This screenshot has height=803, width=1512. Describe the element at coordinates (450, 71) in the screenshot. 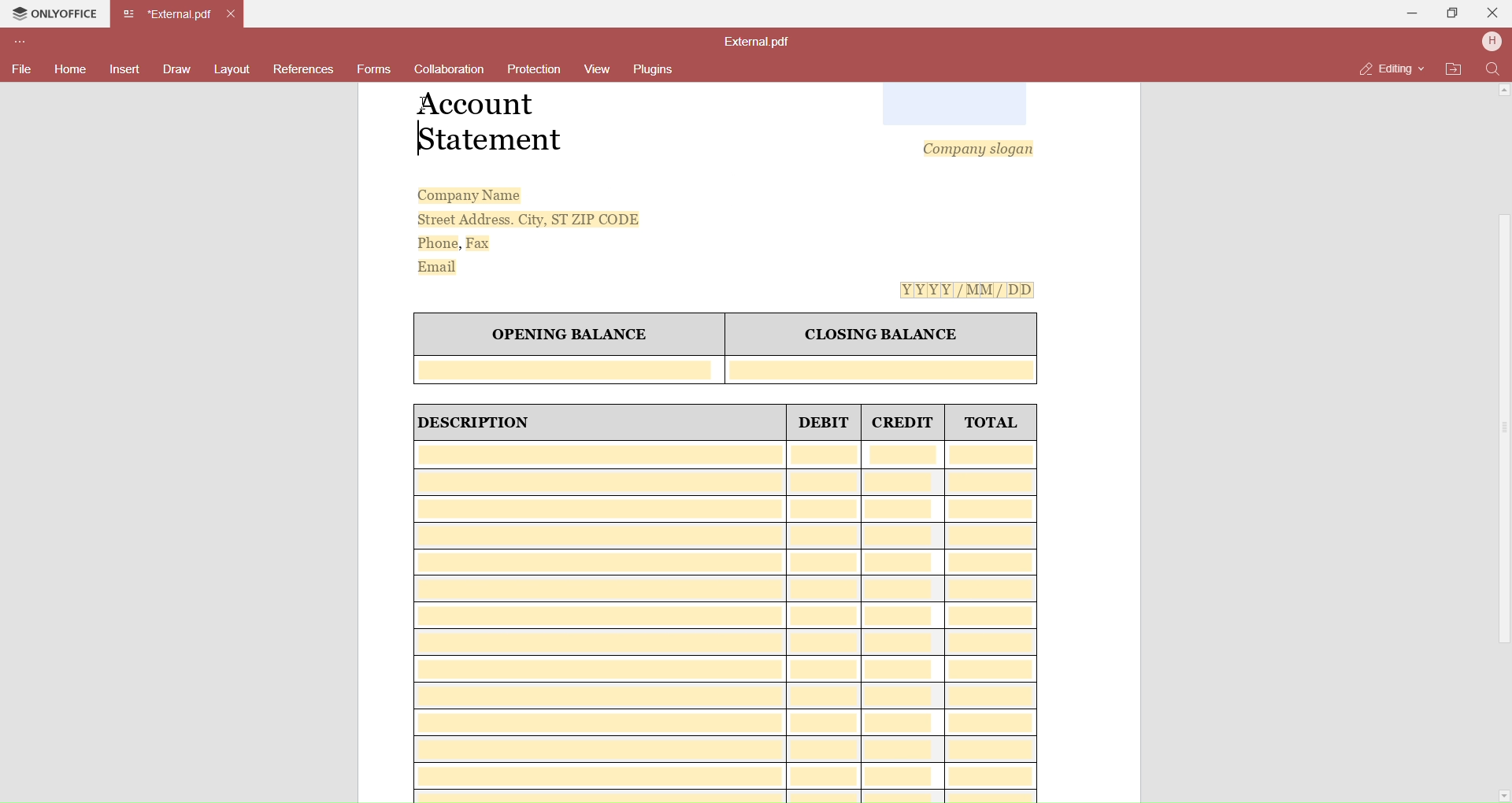

I see `Collaboration` at that location.